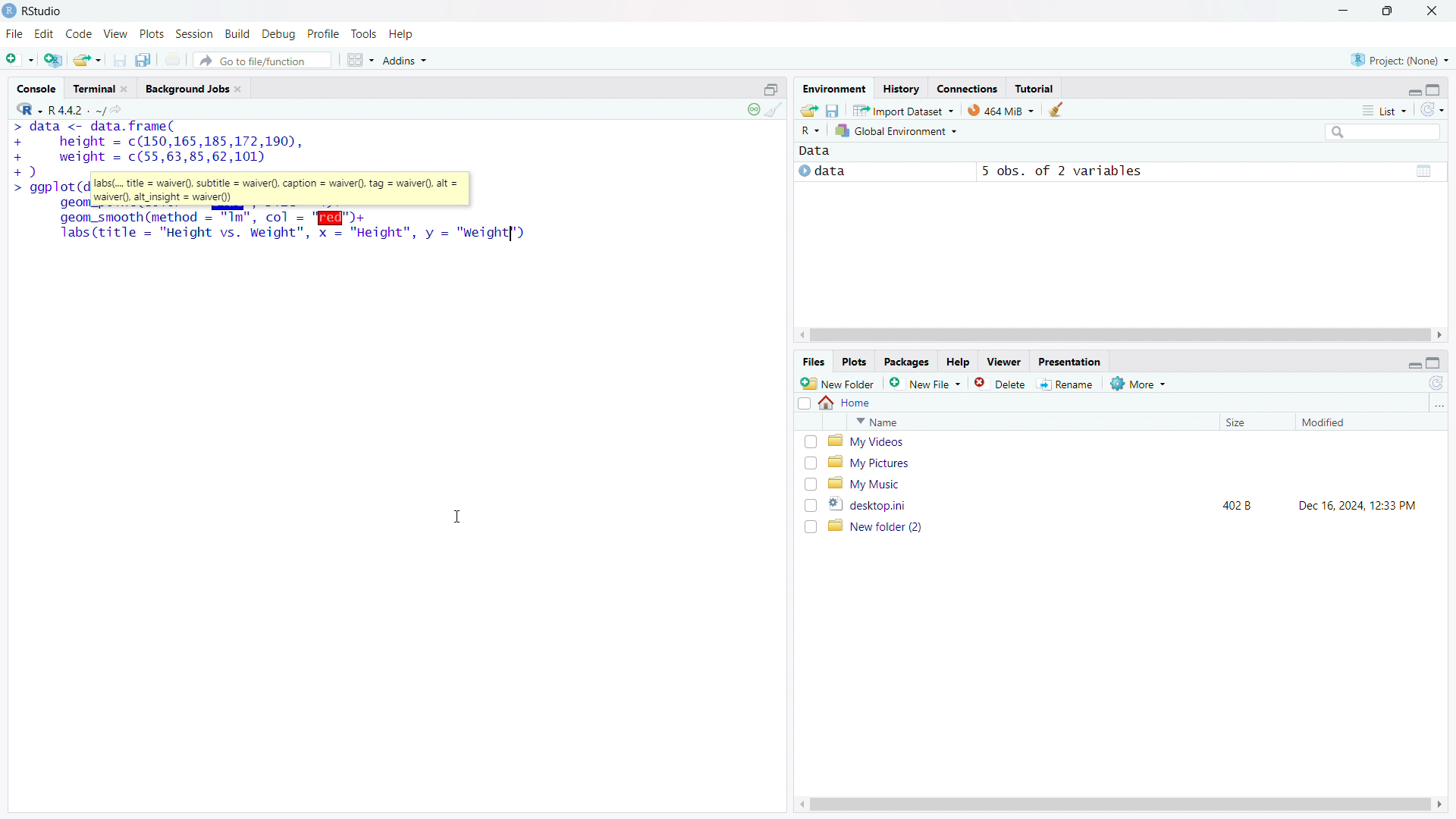 The image size is (1456, 819). What do you see at coordinates (36, 89) in the screenshot?
I see `console` at bounding box center [36, 89].